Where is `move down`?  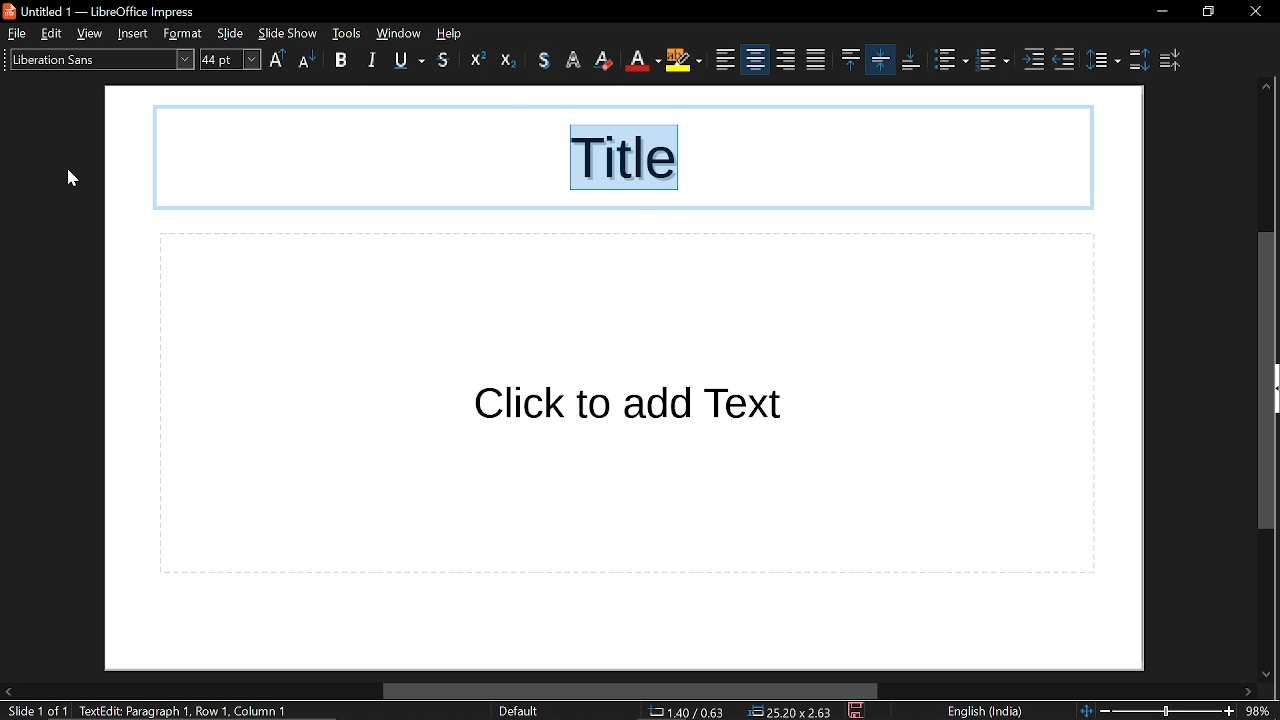
move down is located at coordinates (1262, 671).